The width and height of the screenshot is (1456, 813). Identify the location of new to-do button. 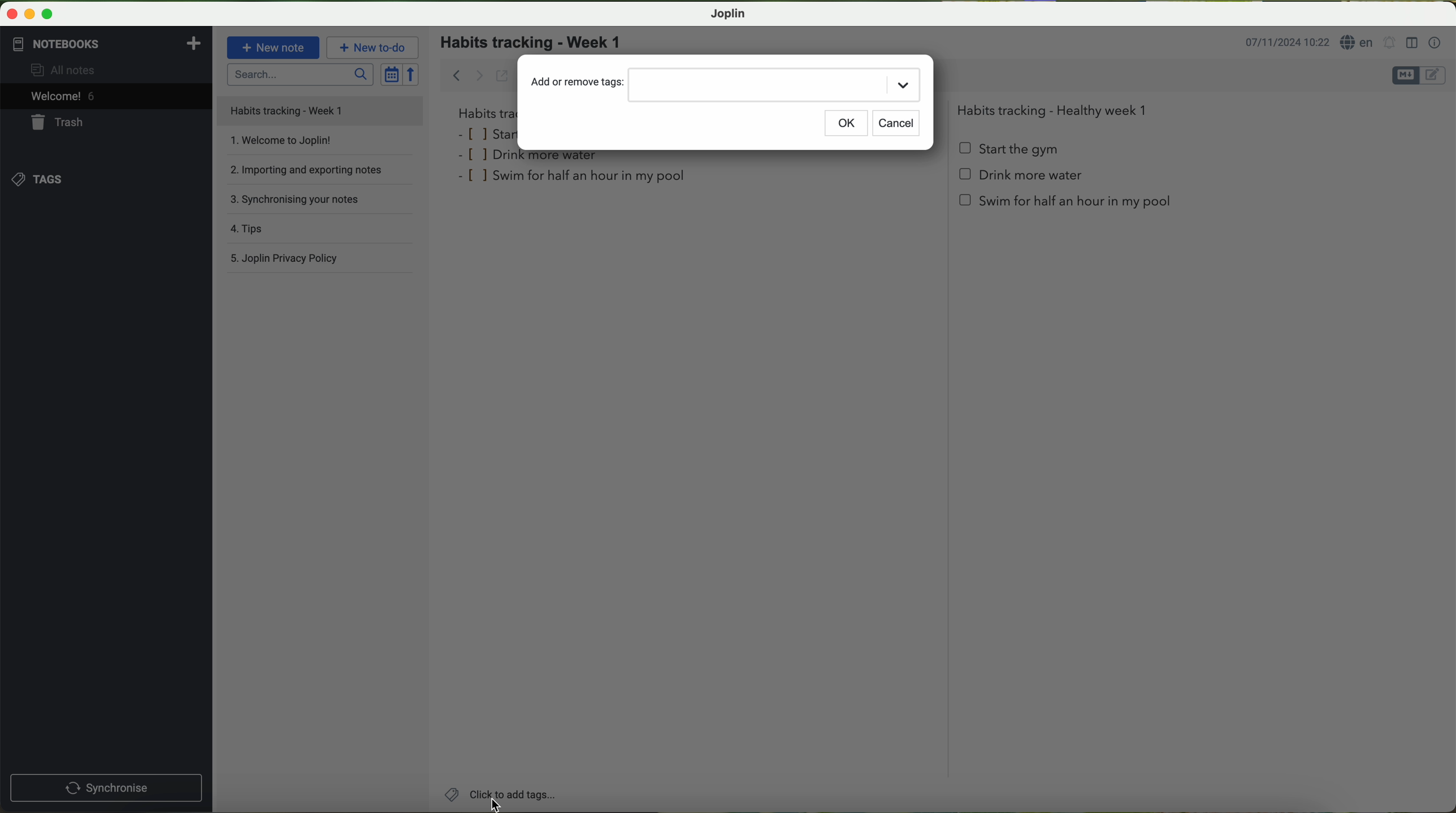
(372, 47).